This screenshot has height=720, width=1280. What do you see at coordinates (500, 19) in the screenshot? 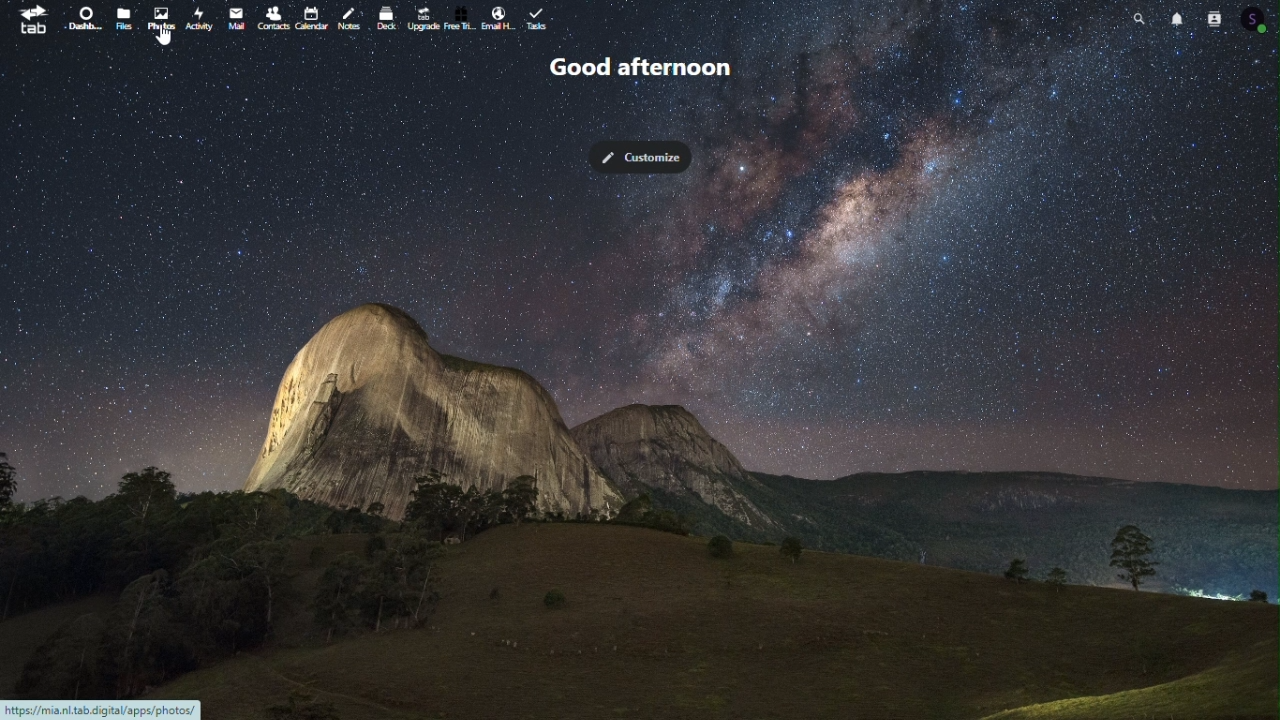
I see `email handling` at bounding box center [500, 19].